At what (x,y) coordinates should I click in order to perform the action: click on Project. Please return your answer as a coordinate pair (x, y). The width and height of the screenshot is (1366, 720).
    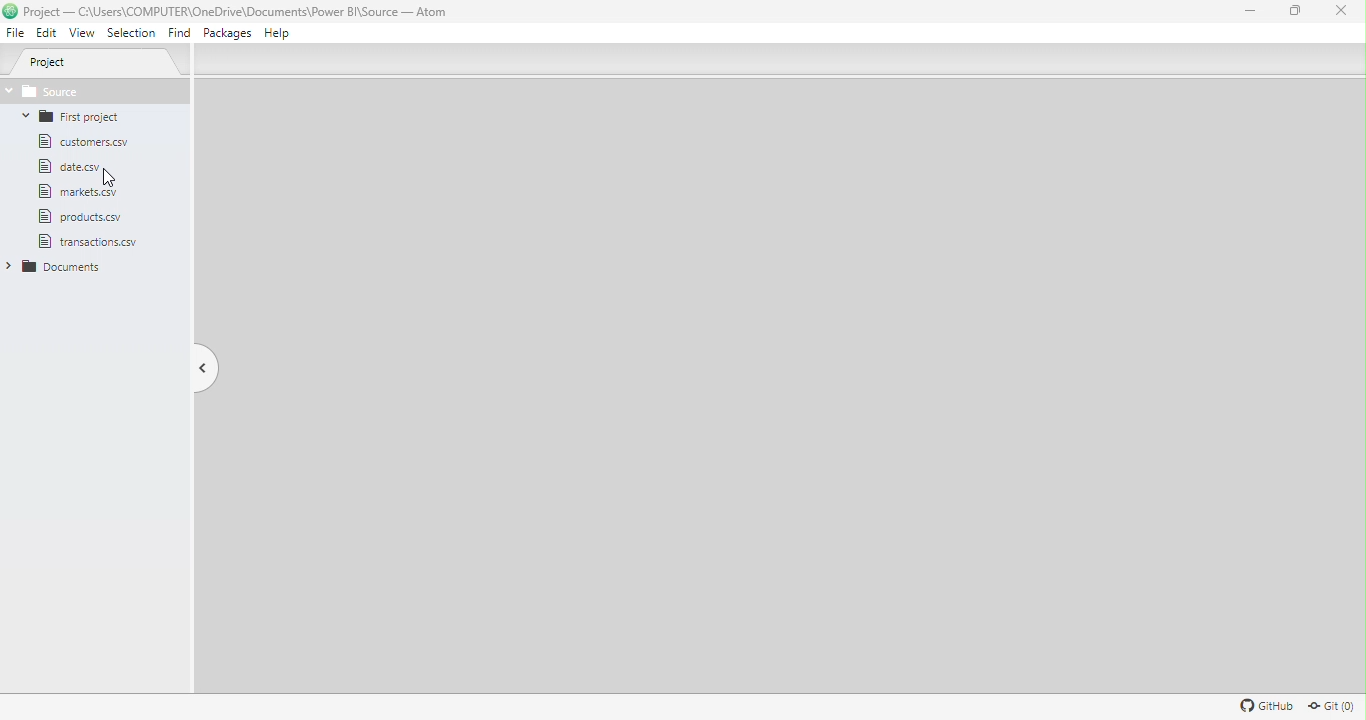
    Looking at the image, I should click on (102, 63).